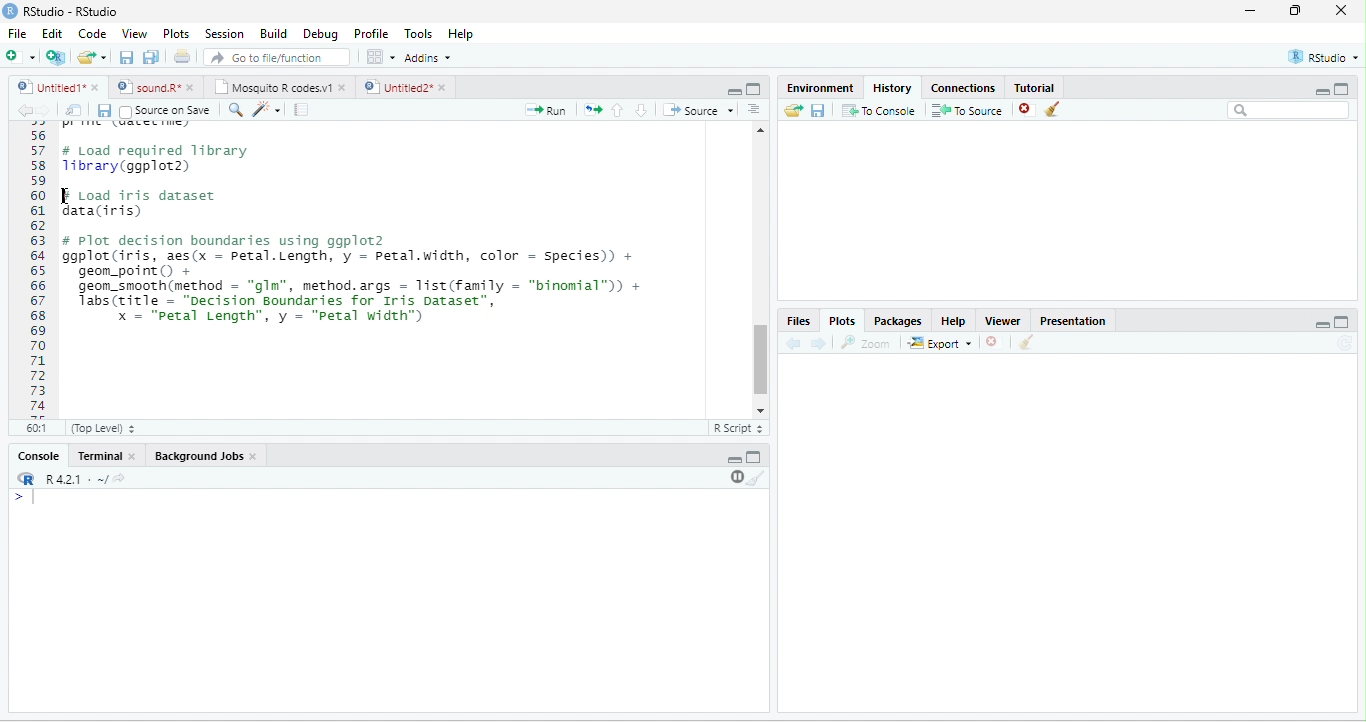  What do you see at coordinates (545, 110) in the screenshot?
I see `Run file` at bounding box center [545, 110].